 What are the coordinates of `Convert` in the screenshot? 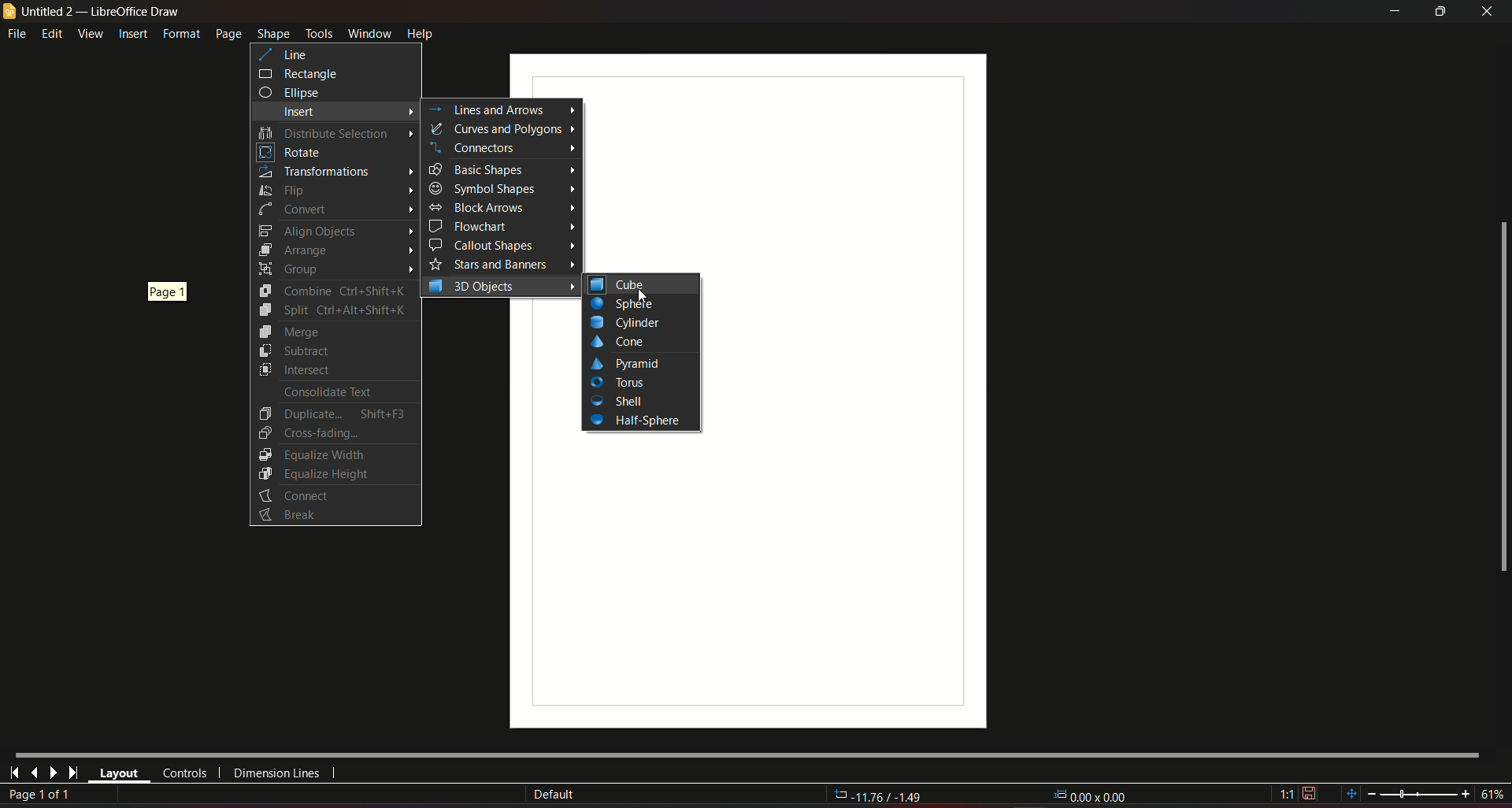 It's located at (293, 209).